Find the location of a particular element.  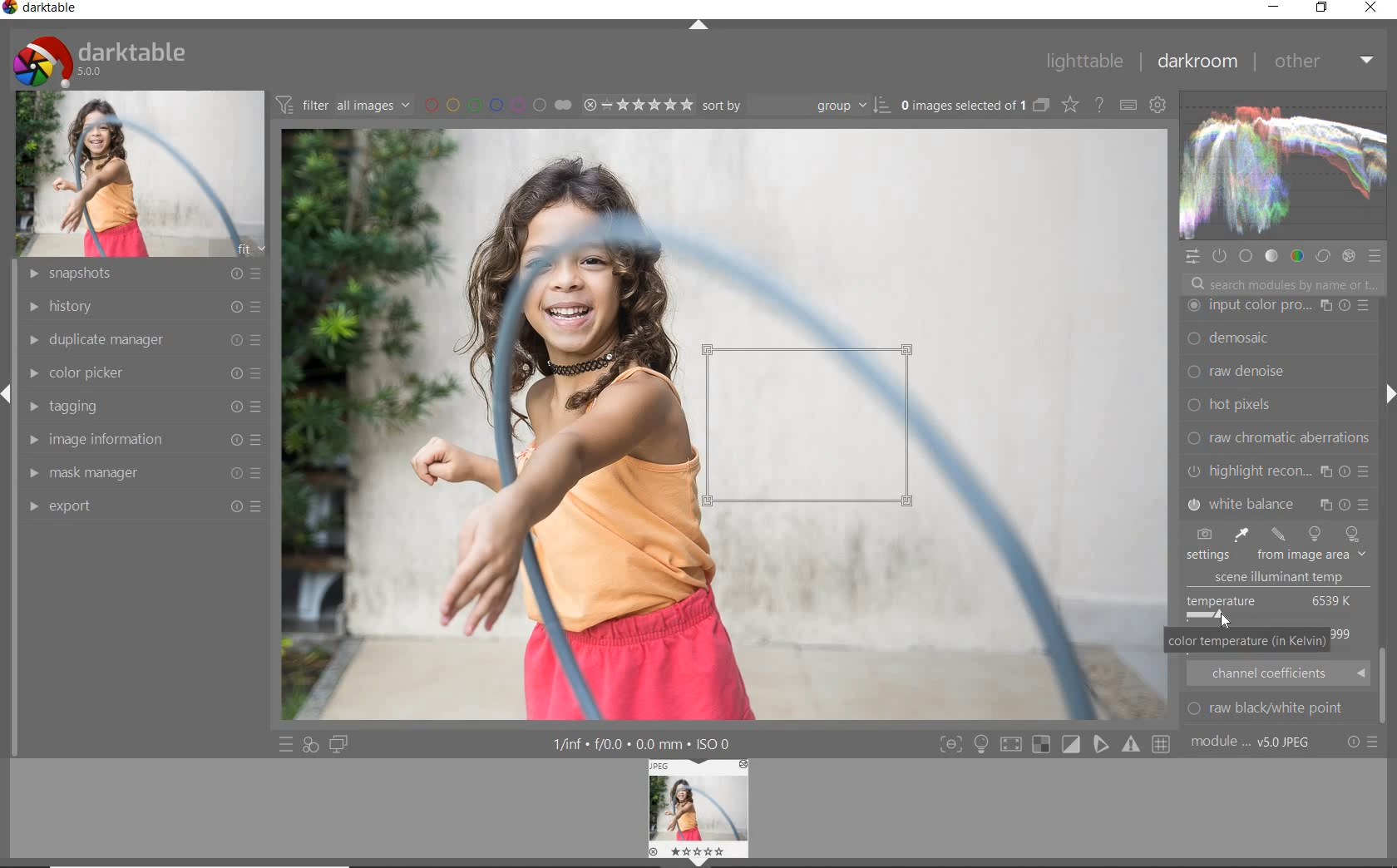

effect is located at coordinates (1348, 255).